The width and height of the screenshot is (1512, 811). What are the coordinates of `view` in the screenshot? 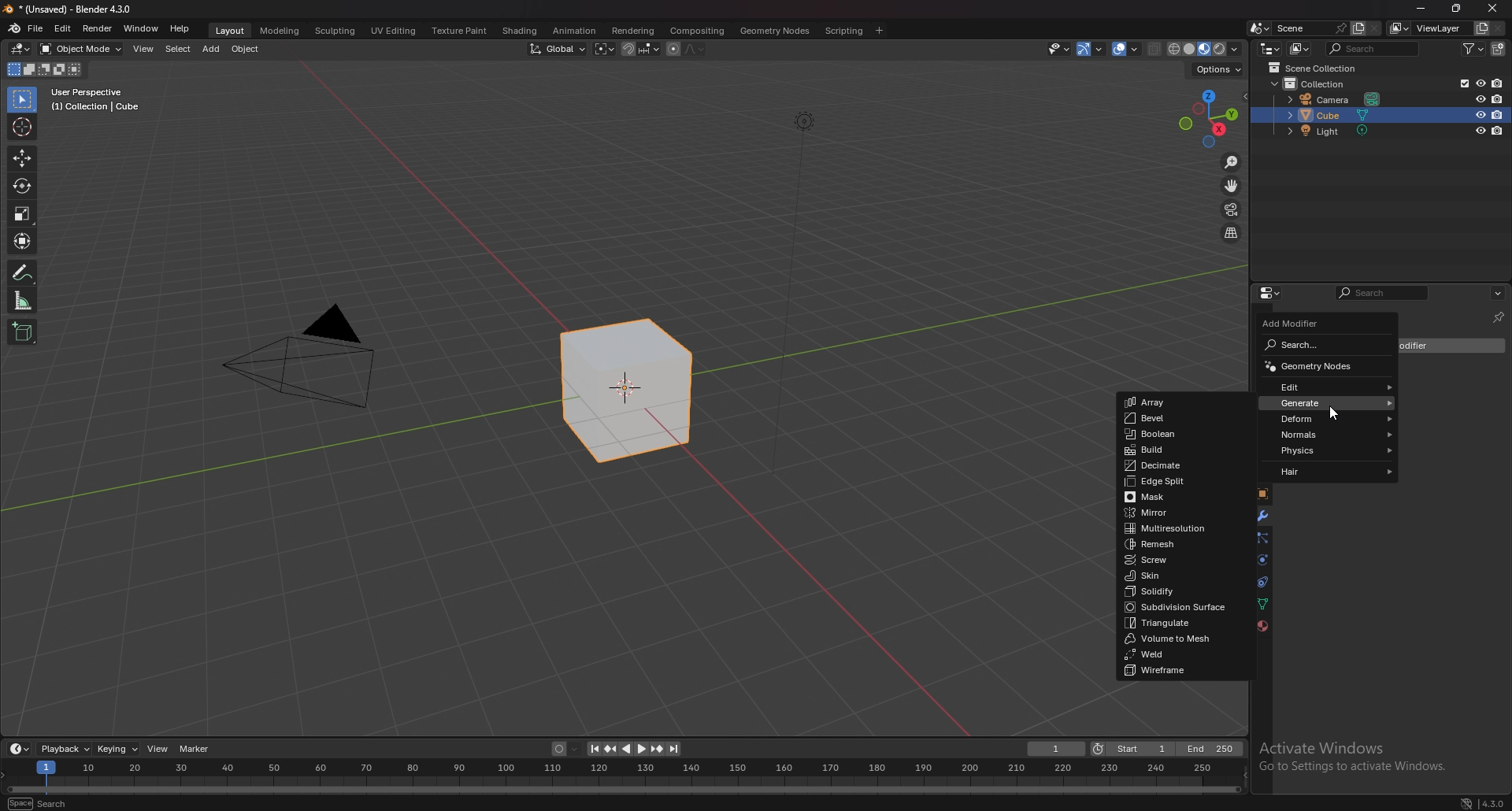 It's located at (158, 749).